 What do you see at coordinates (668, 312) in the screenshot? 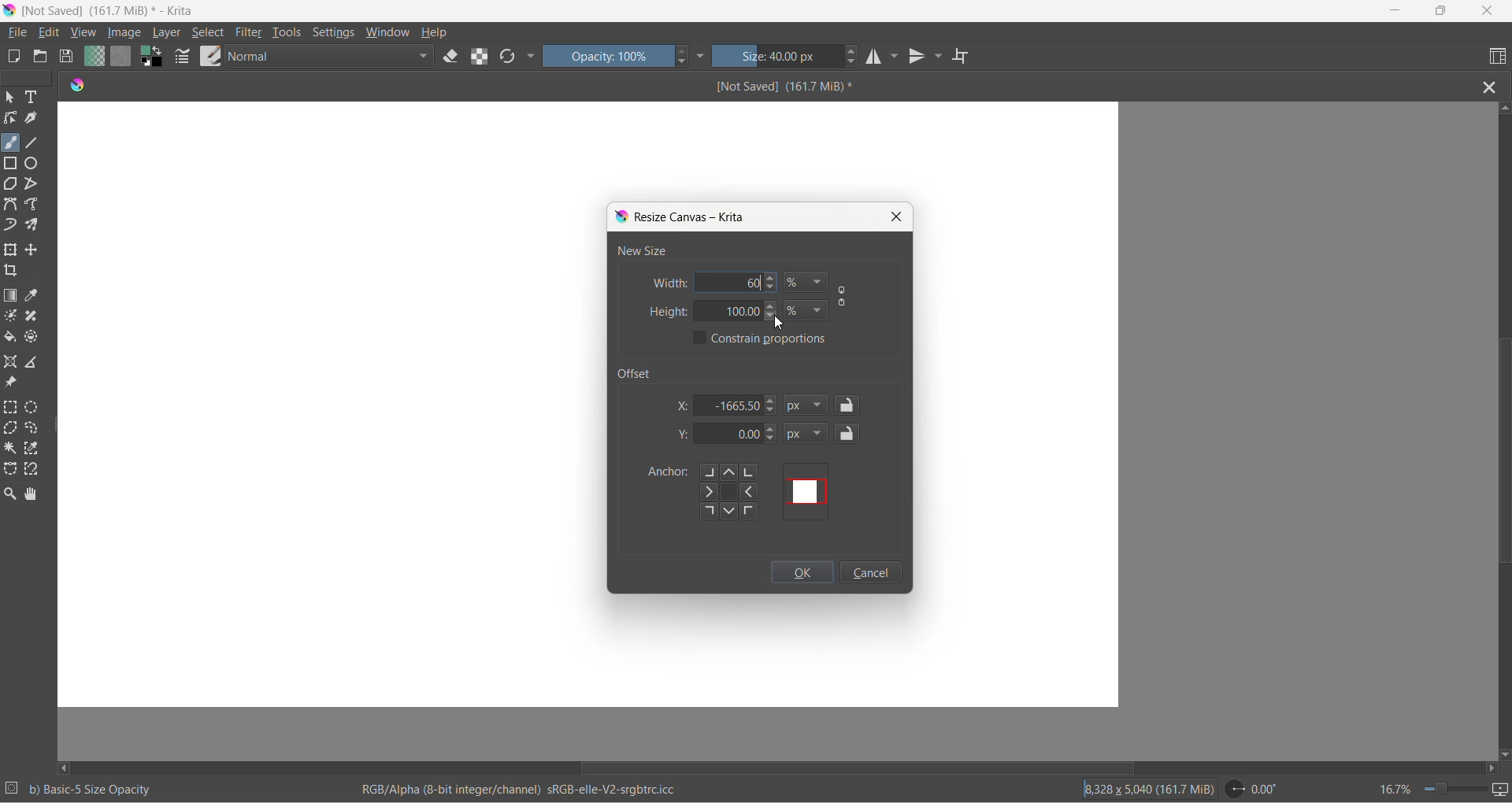
I see `height` at bounding box center [668, 312].